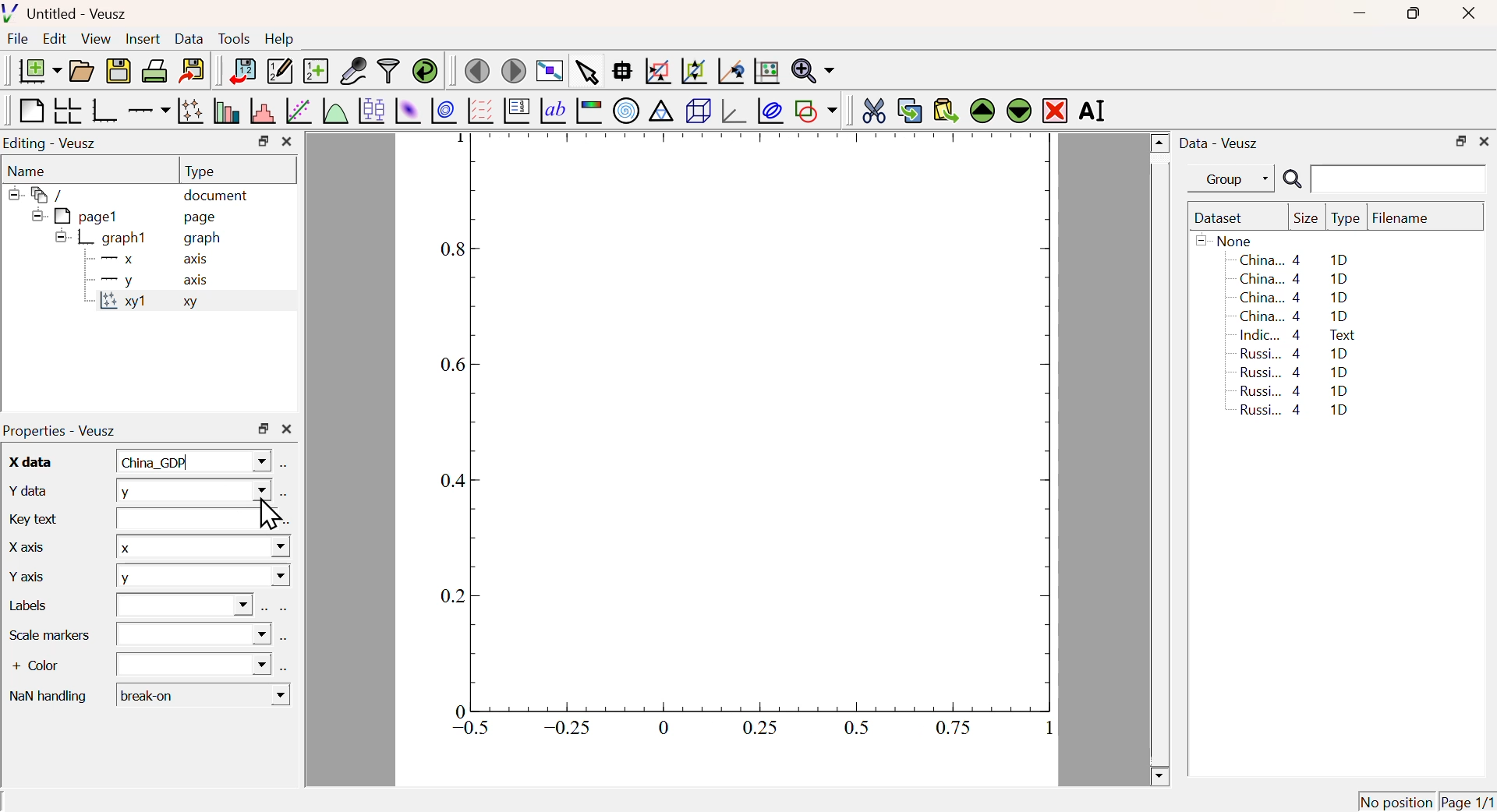 Image resolution: width=1497 pixels, height=812 pixels. Describe the element at coordinates (286, 524) in the screenshot. I see `Select using dataset Browser` at that location.